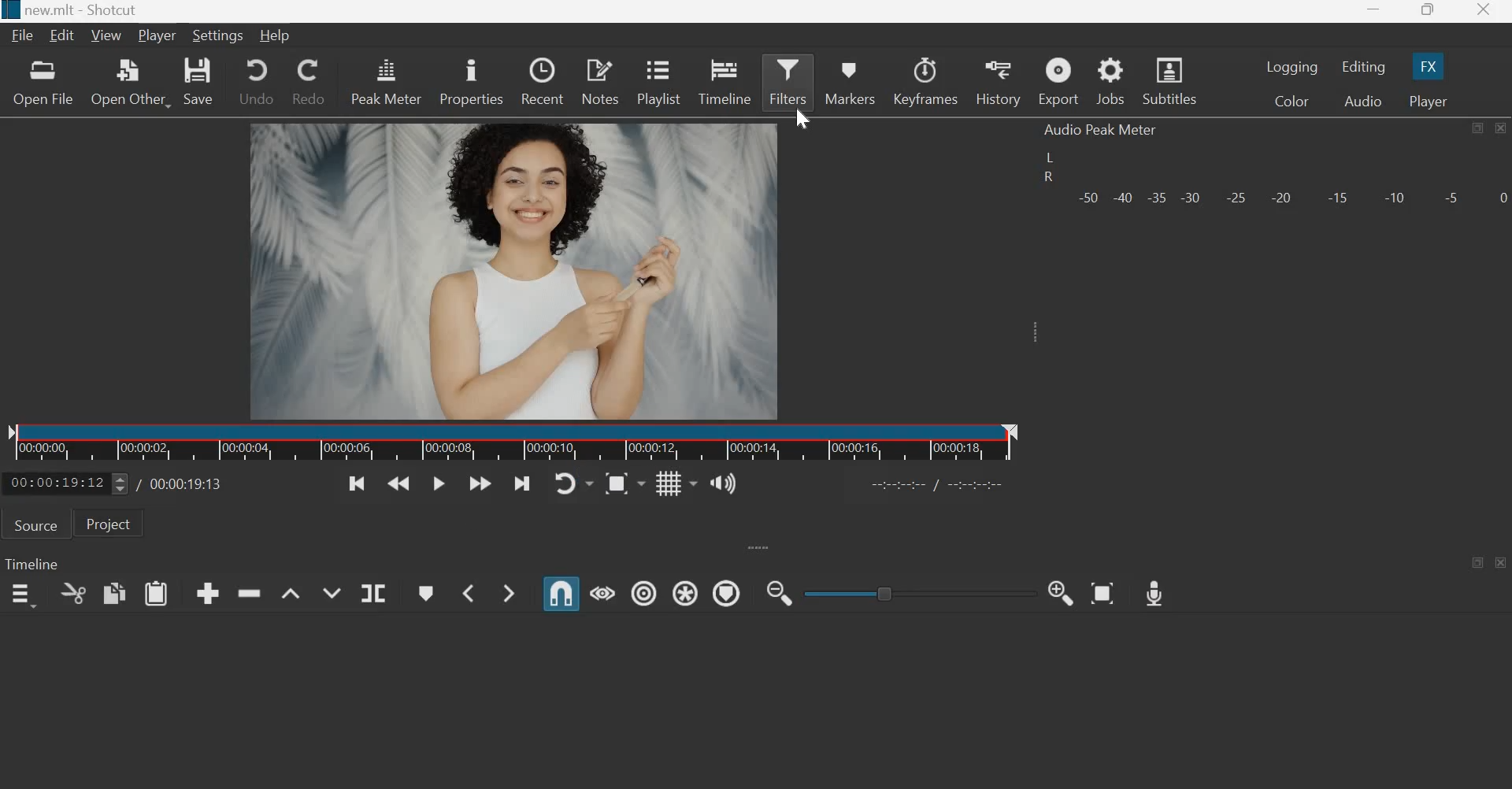 This screenshot has height=789, width=1512. What do you see at coordinates (115, 592) in the screenshot?
I see `copy` at bounding box center [115, 592].